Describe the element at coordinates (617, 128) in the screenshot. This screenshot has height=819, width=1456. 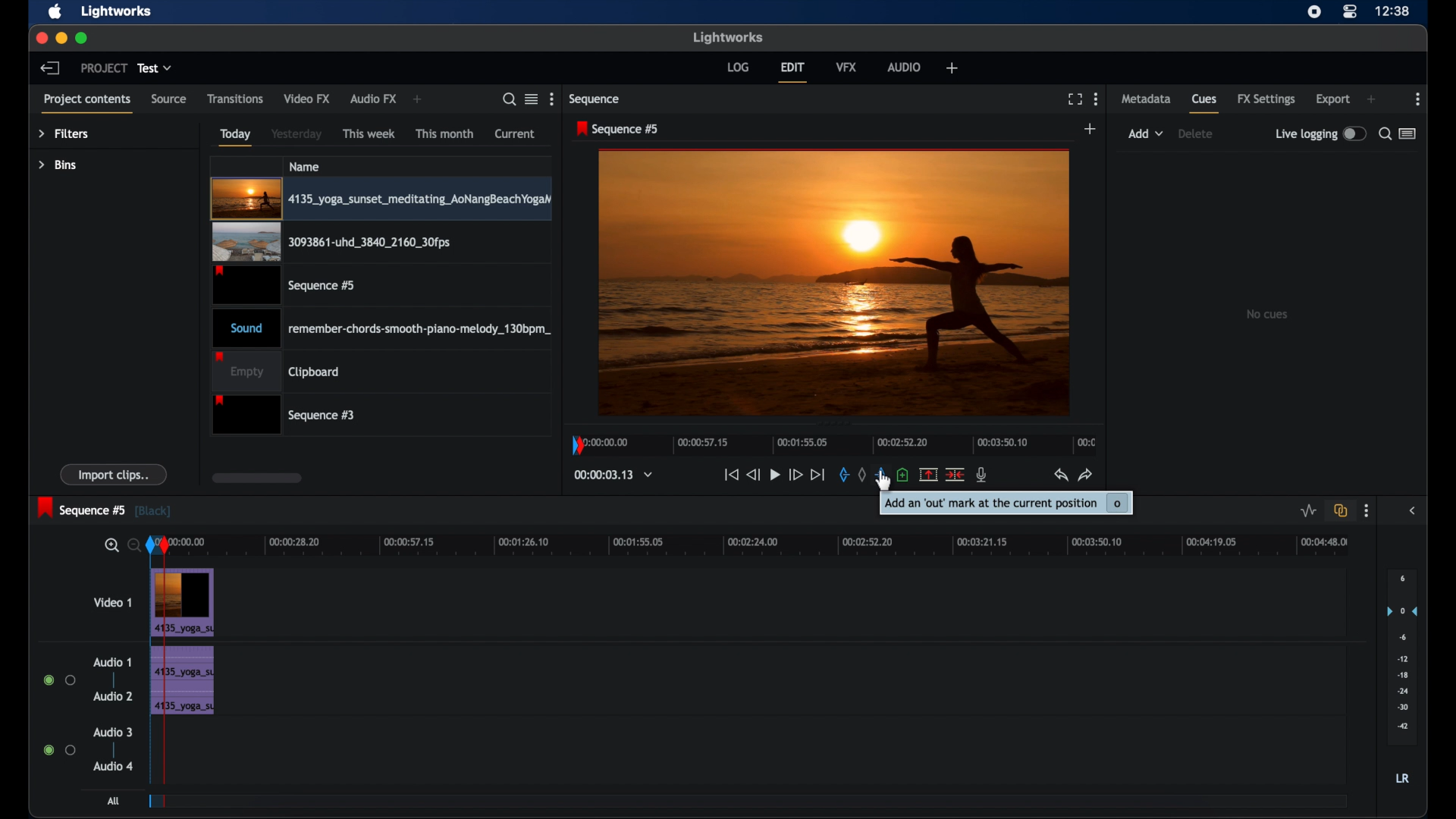
I see `sequence` at that location.